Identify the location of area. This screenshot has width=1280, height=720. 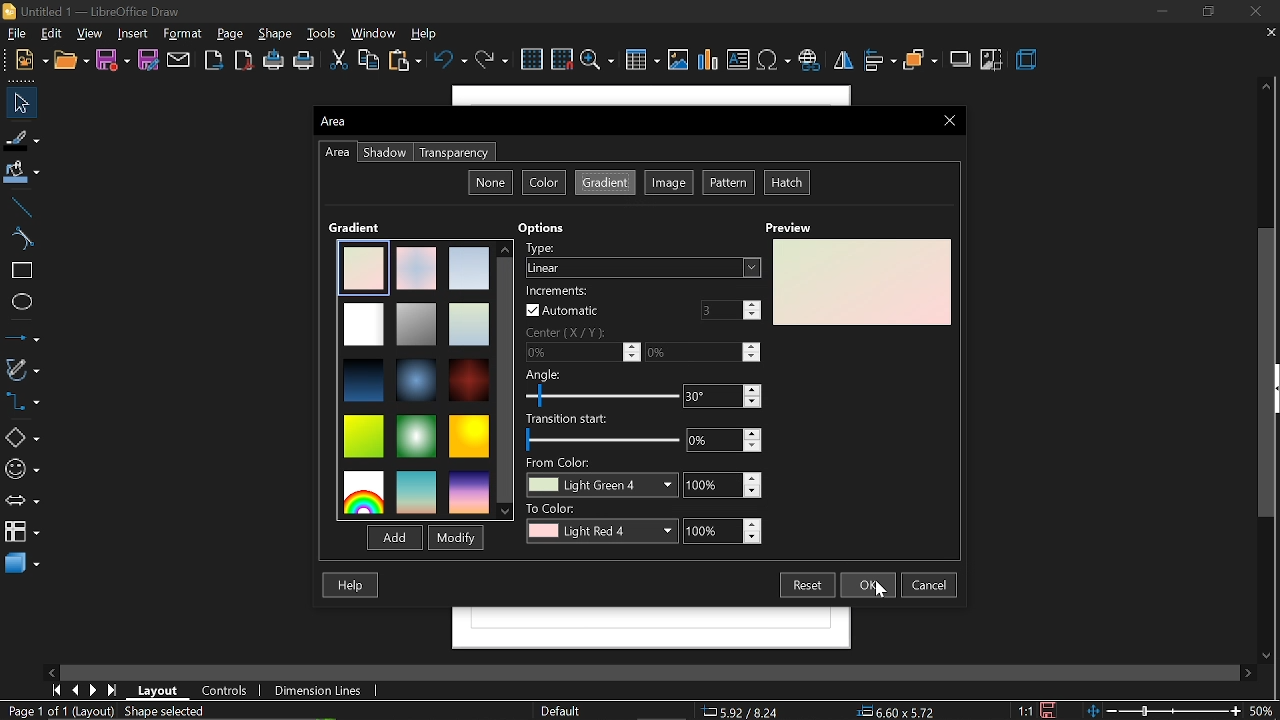
(337, 153).